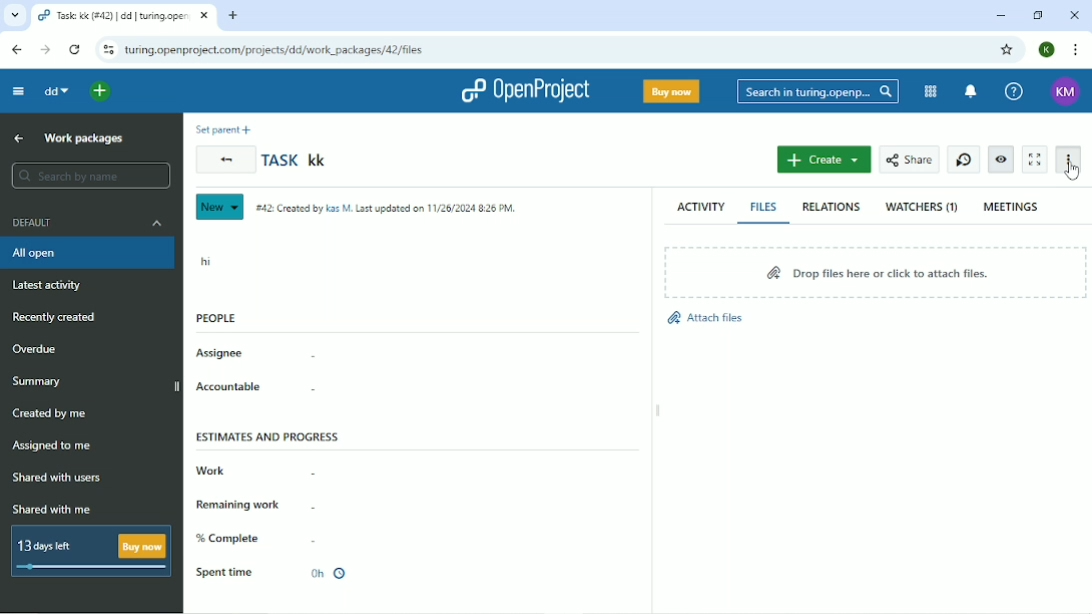 The image size is (1092, 614). I want to click on , so click(100, 91).